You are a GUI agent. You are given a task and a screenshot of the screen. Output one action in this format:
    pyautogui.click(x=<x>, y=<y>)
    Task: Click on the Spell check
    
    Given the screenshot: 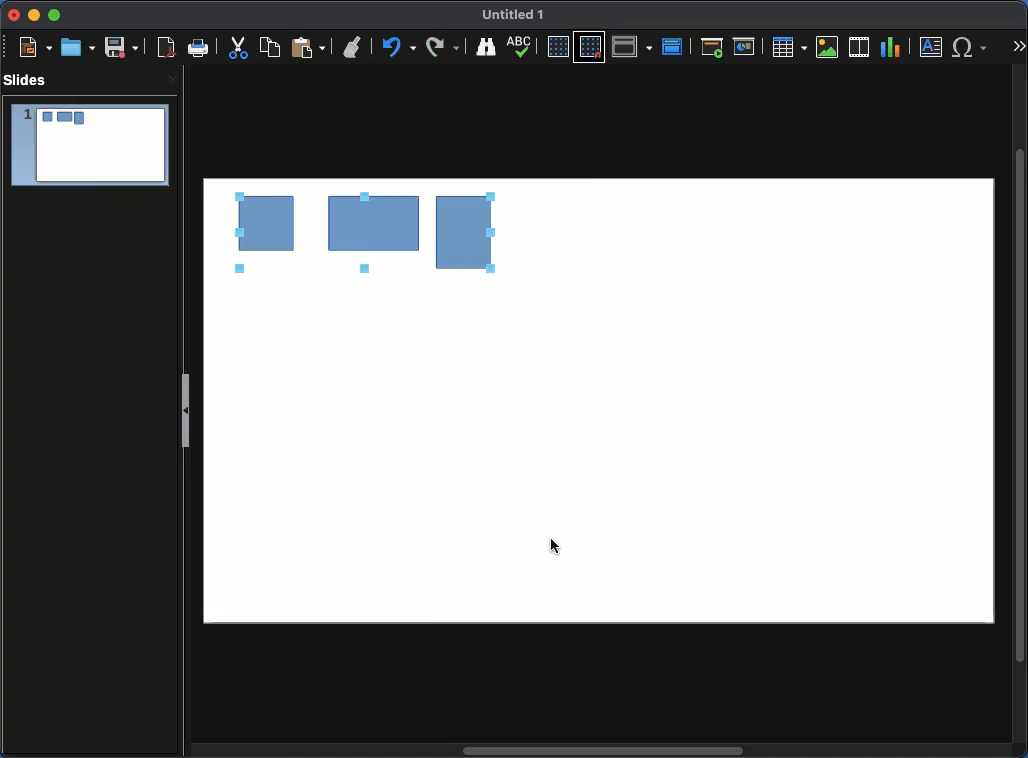 What is the action you would take?
    pyautogui.click(x=522, y=46)
    